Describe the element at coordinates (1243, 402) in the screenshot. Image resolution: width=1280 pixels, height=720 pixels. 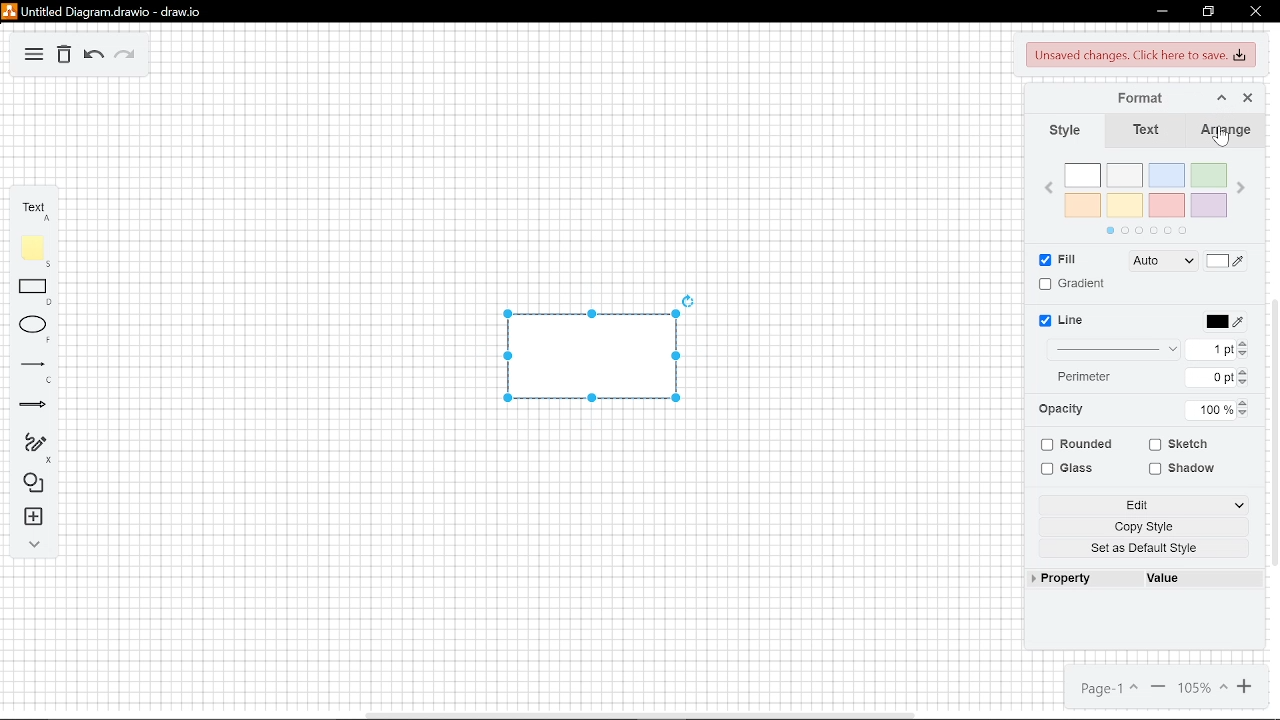
I see `increase opacity` at that location.